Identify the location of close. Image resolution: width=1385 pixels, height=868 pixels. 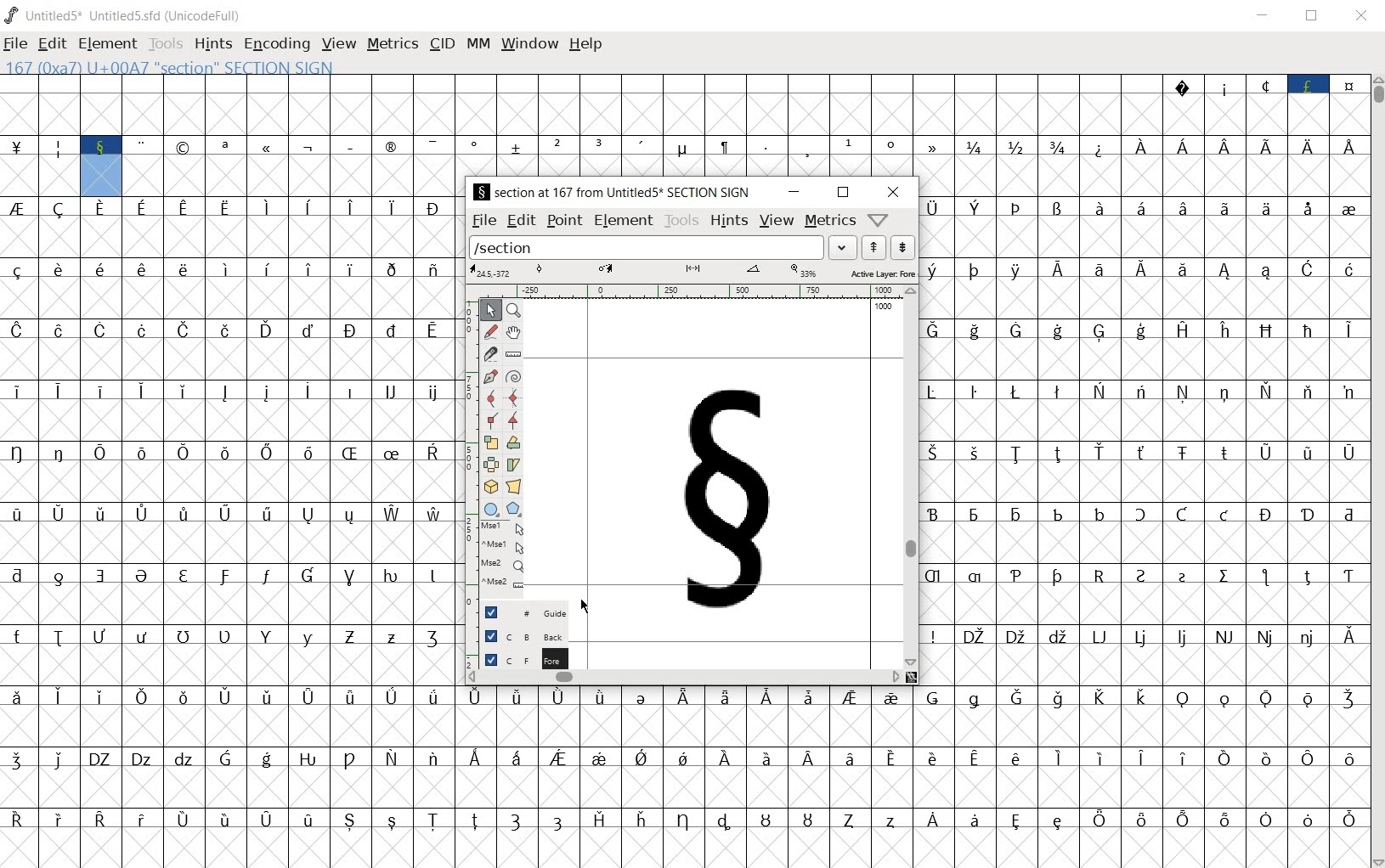
(893, 192).